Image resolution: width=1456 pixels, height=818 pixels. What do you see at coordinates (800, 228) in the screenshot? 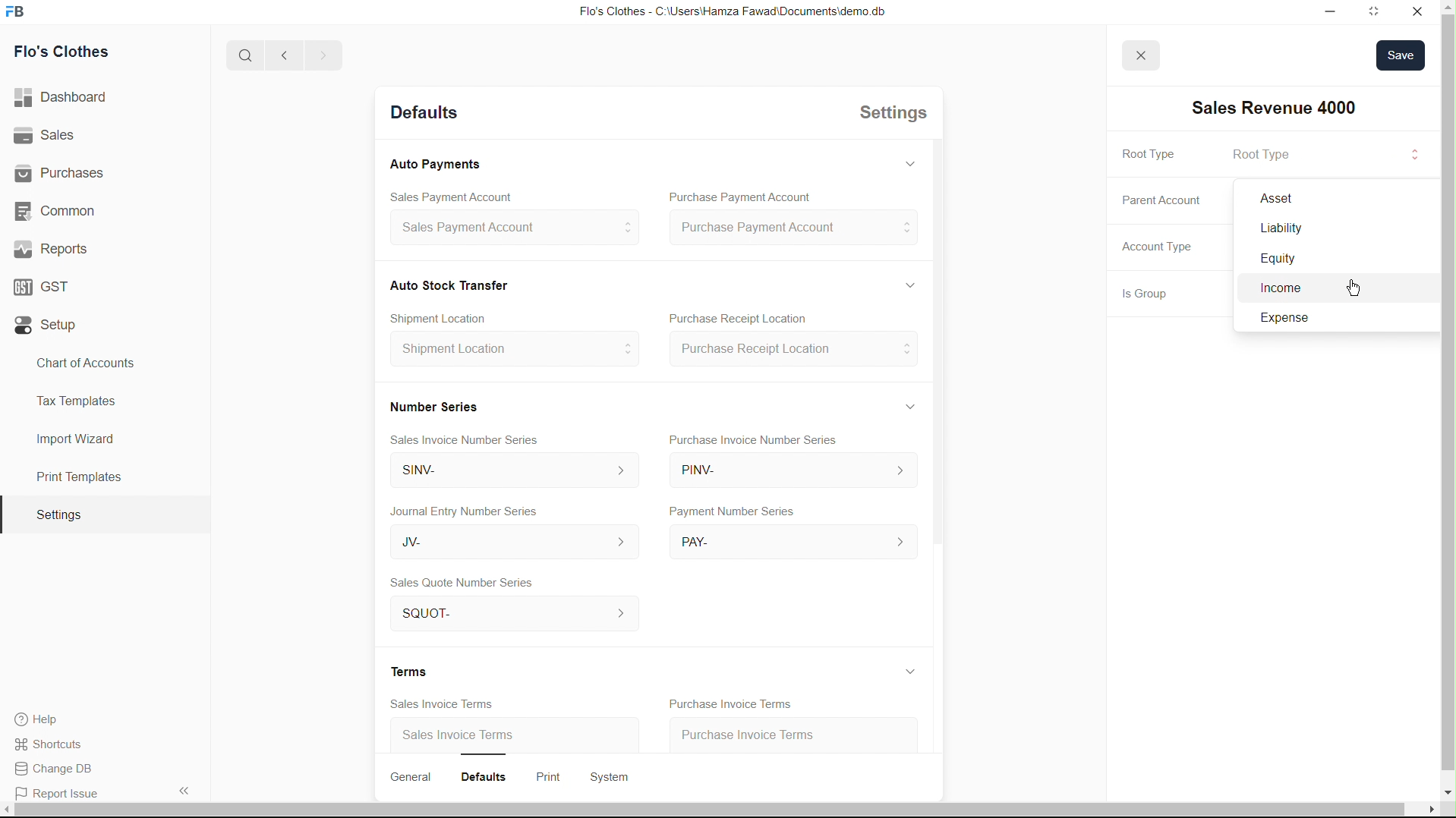
I see `Purchase Payment Account` at bounding box center [800, 228].